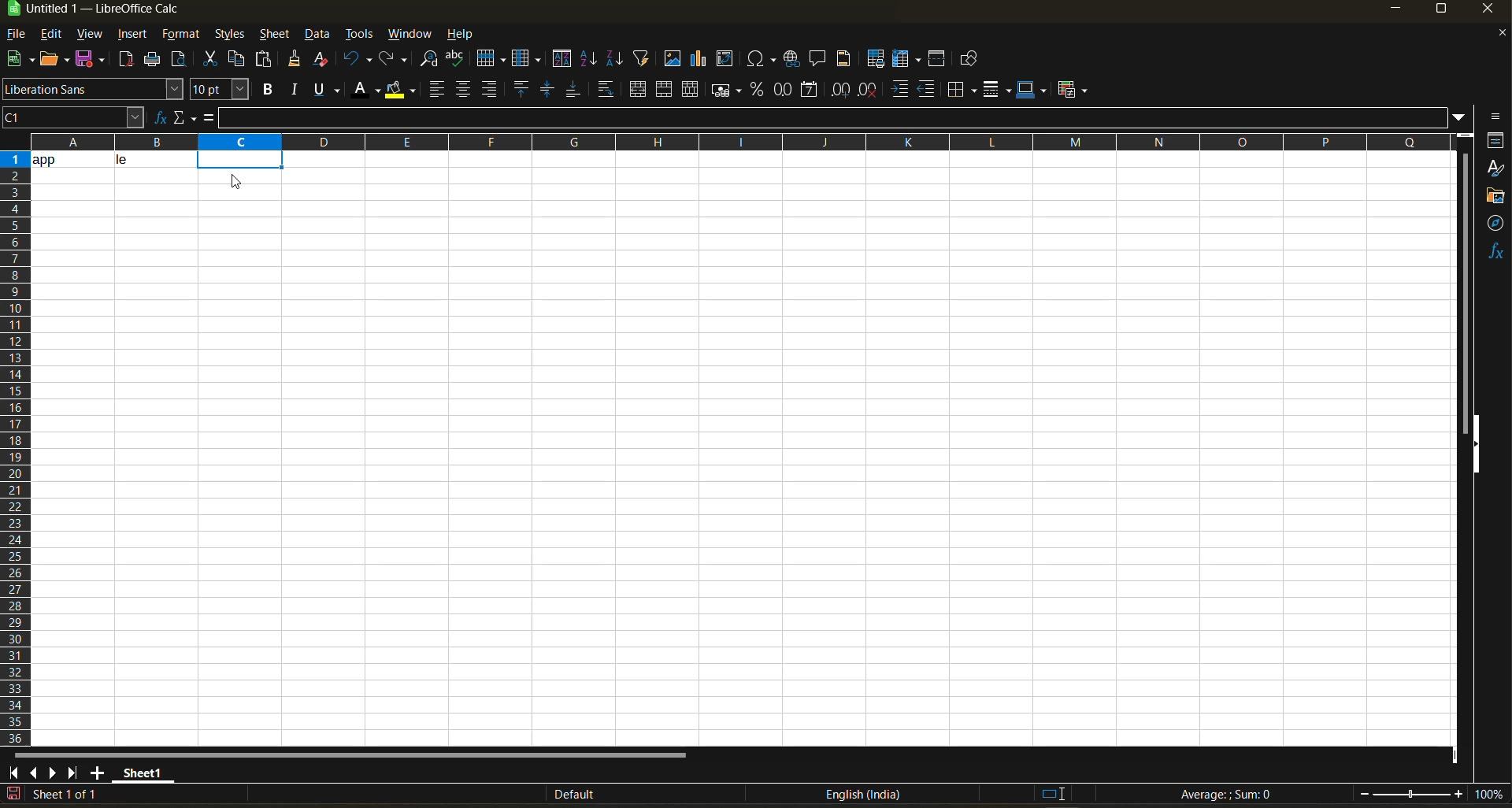 This screenshot has width=1512, height=808. Describe the element at coordinates (155, 117) in the screenshot. I see `function wizard` at that location.